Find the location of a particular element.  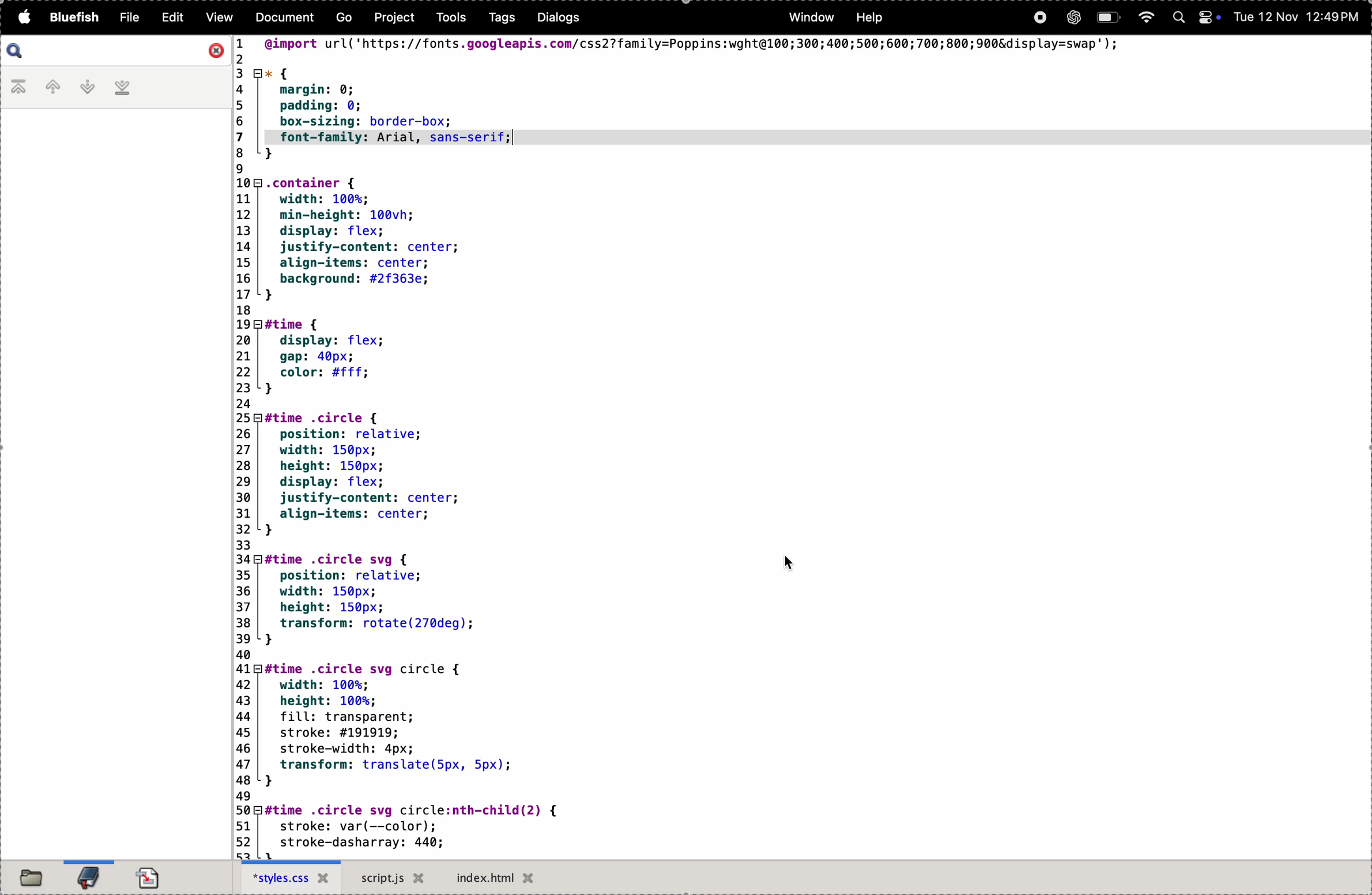

record is located at coordinates (1039, 20).